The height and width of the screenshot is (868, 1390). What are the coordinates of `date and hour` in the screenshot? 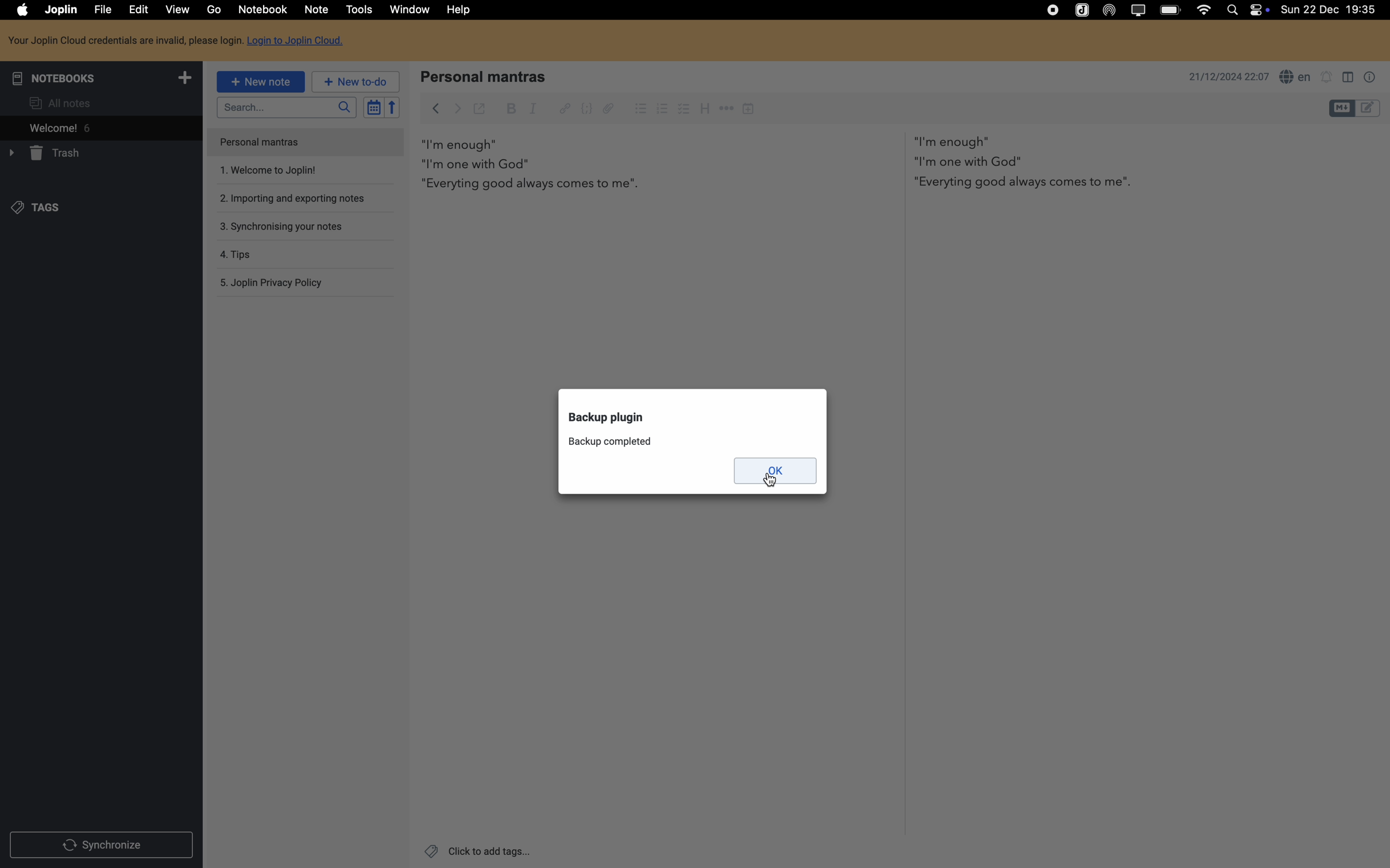 It's located at (1226, 77).